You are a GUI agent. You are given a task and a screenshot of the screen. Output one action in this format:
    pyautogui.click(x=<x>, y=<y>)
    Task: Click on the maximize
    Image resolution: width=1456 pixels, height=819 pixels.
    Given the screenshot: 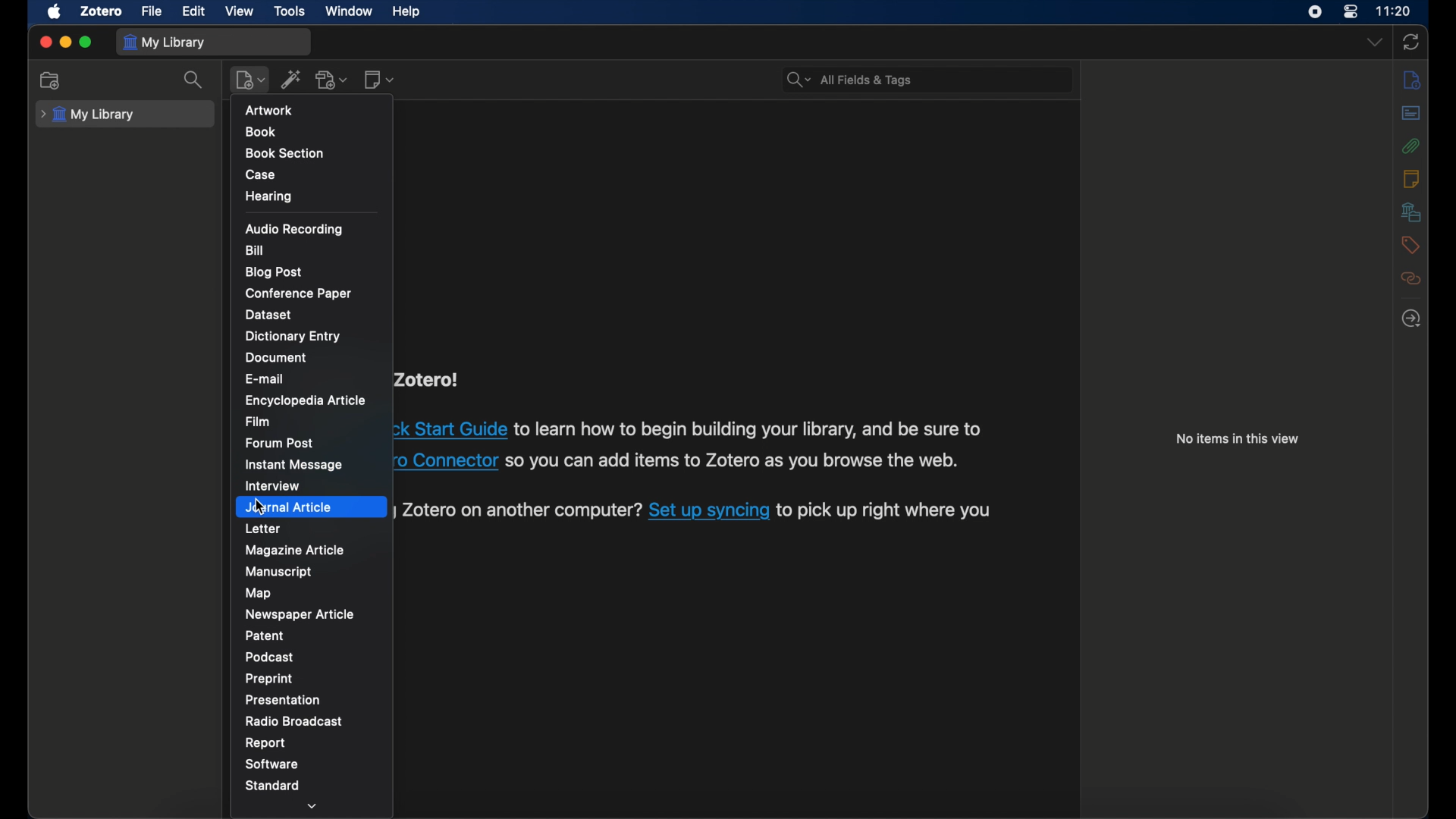 What is the action you would take?
    pyautogui.click(x=86, y=42)
    